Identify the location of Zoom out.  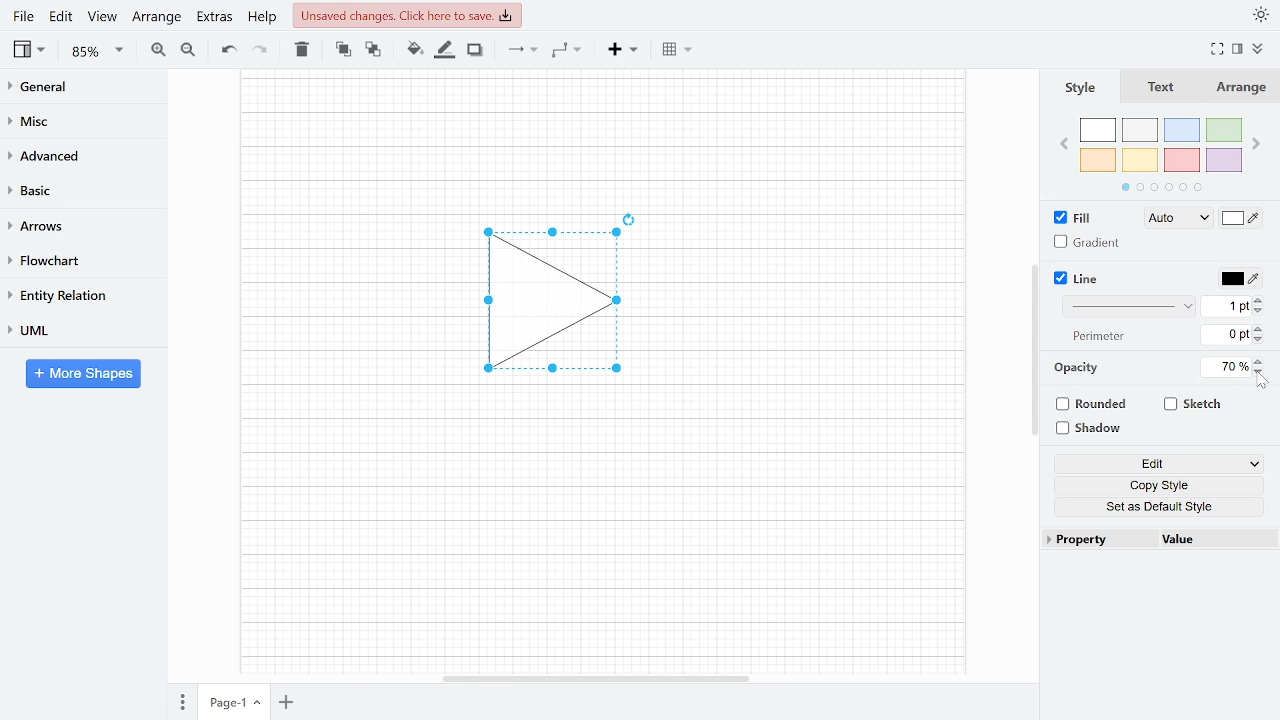
(190, 49).